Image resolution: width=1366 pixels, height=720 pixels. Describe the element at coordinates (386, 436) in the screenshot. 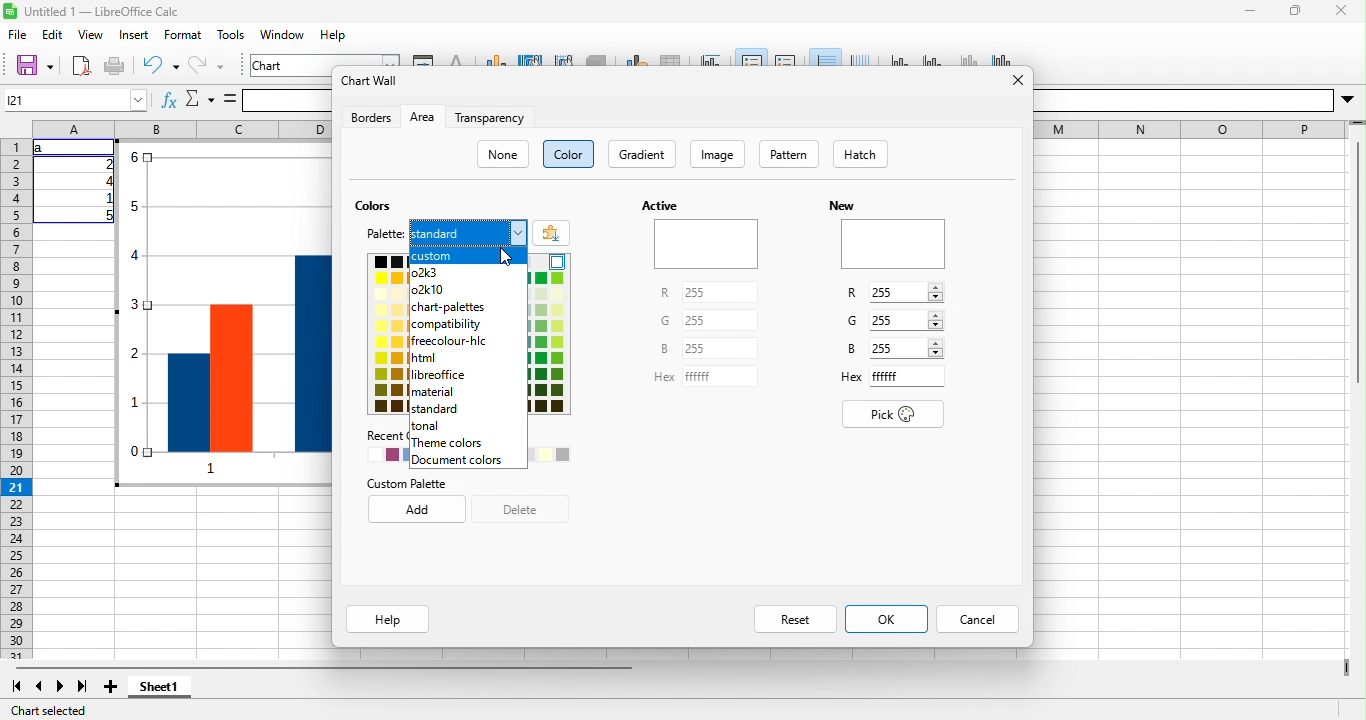

I see `Recent Colors` at that location.